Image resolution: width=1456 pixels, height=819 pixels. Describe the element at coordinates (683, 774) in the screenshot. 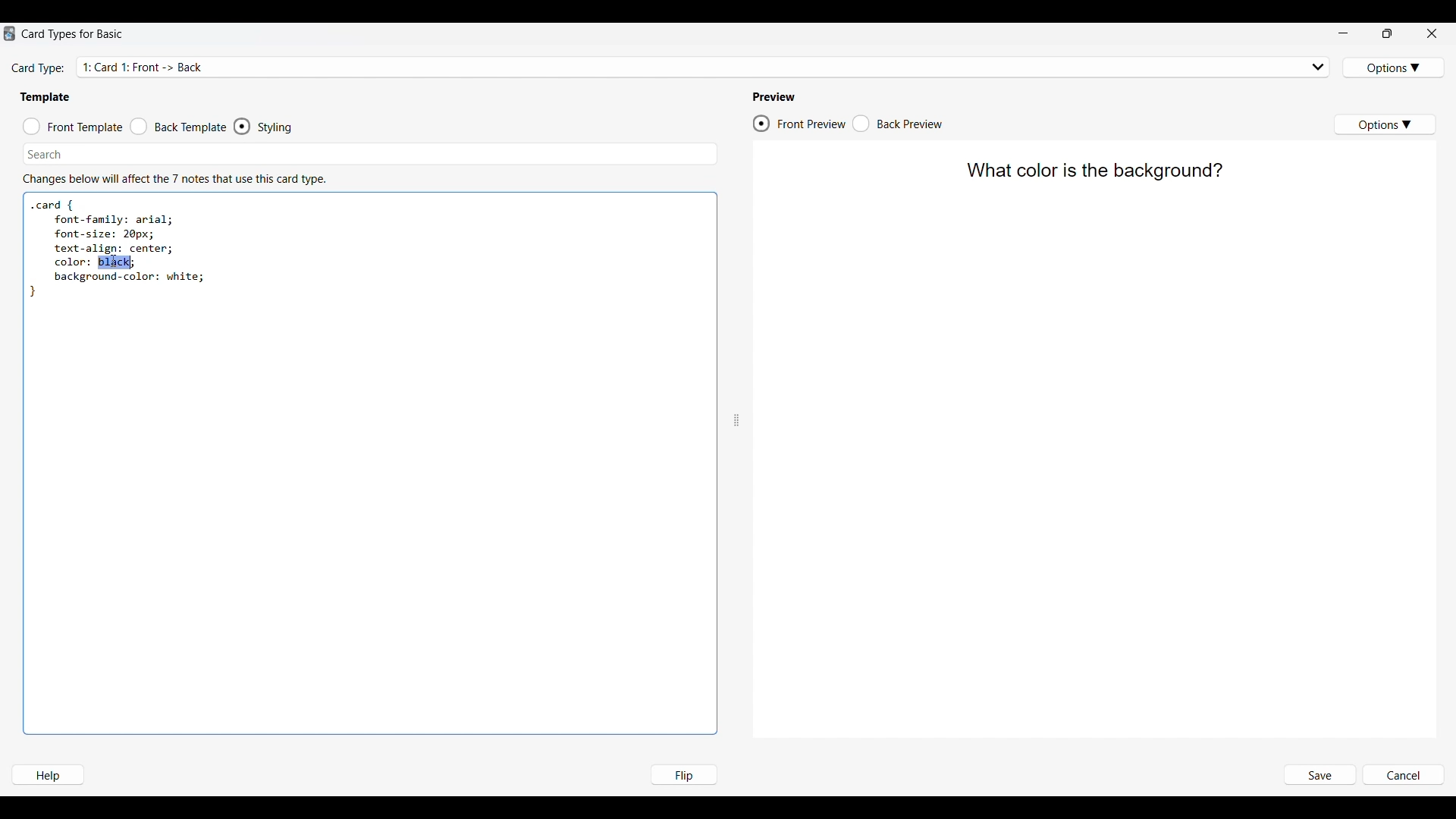

I see `Flip` at that location.